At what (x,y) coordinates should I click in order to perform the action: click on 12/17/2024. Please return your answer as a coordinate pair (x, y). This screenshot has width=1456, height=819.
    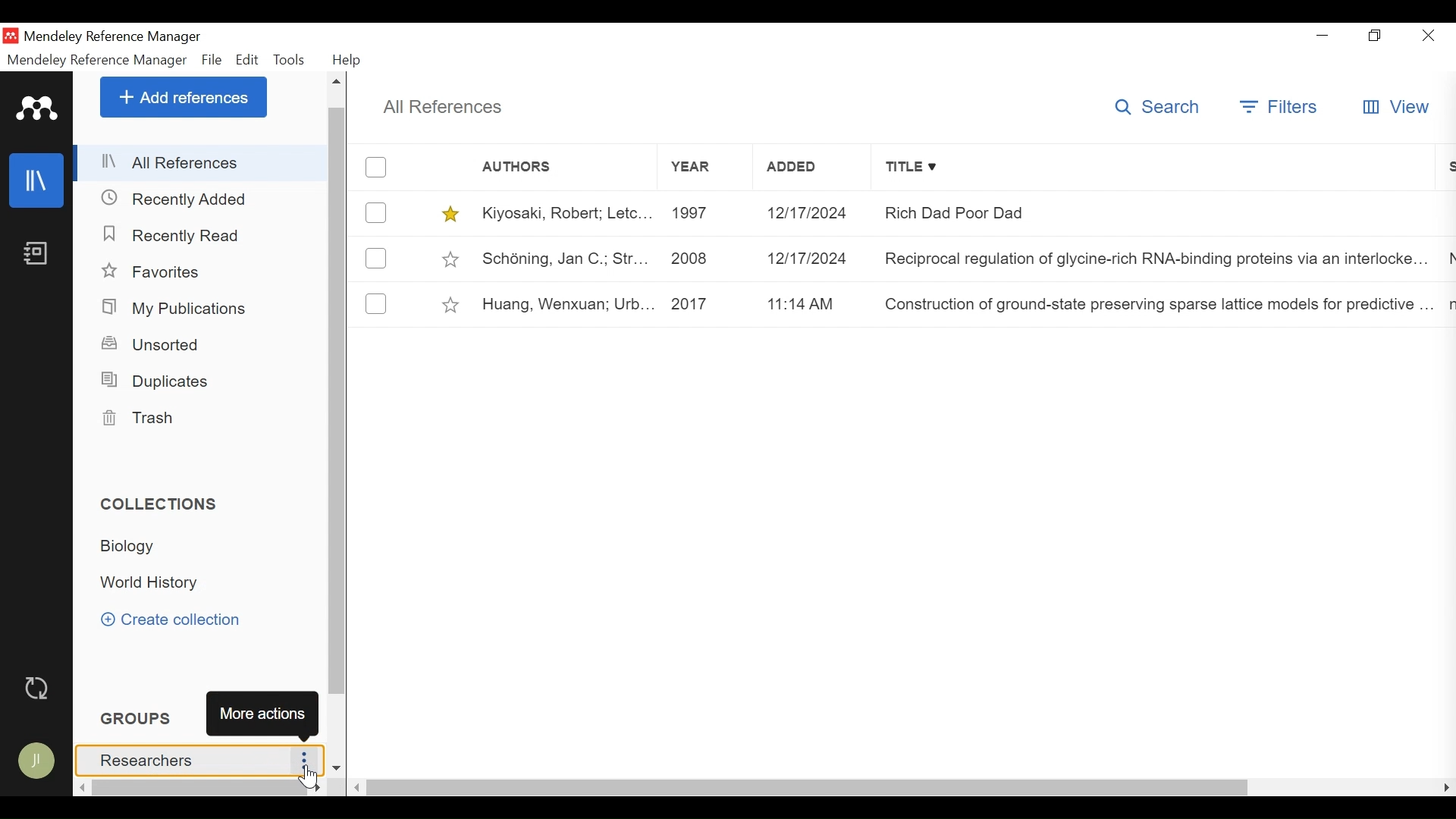
    Looking at the image, I should click on (812, 257).